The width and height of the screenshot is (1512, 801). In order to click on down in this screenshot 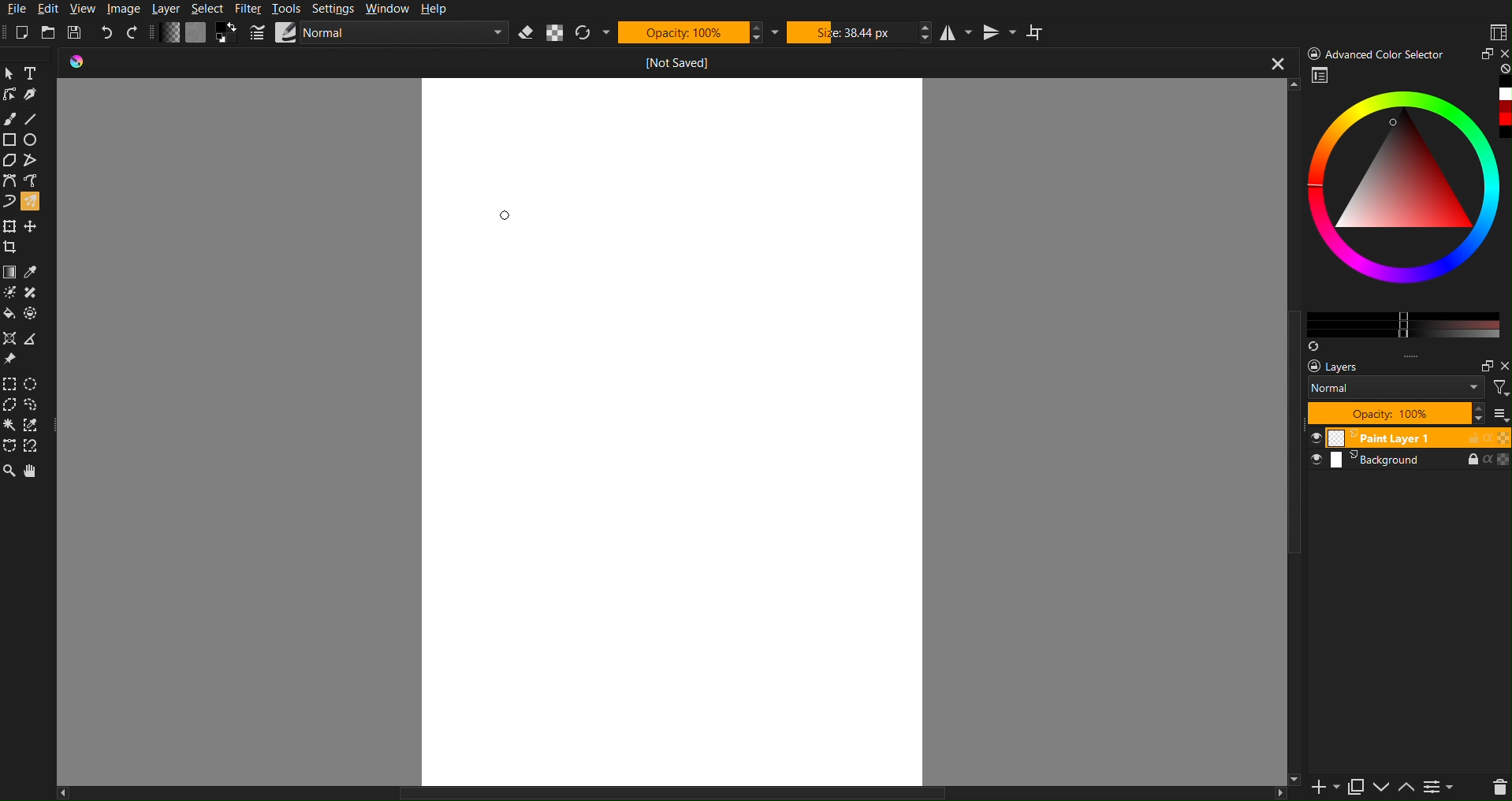, I will do `click(1380, 788)`.